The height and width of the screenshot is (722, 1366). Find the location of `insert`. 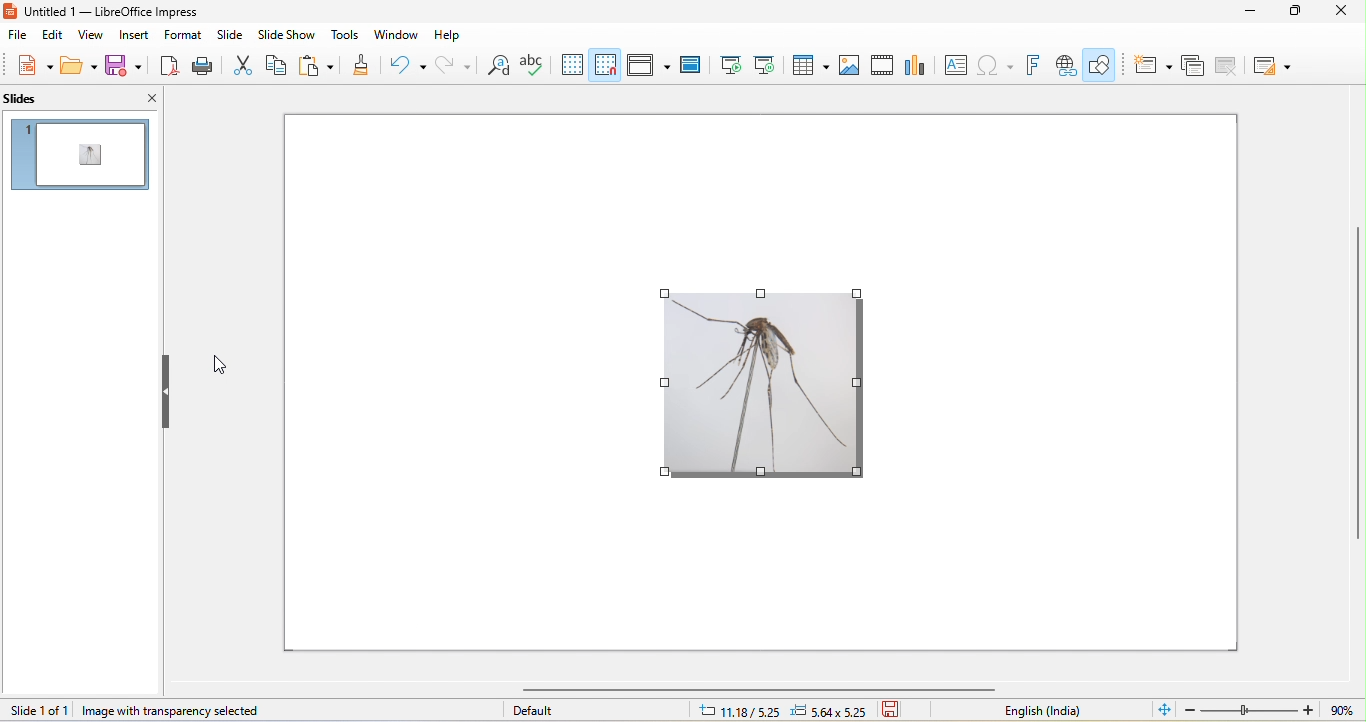

insert is located at coordinates (135, 35).